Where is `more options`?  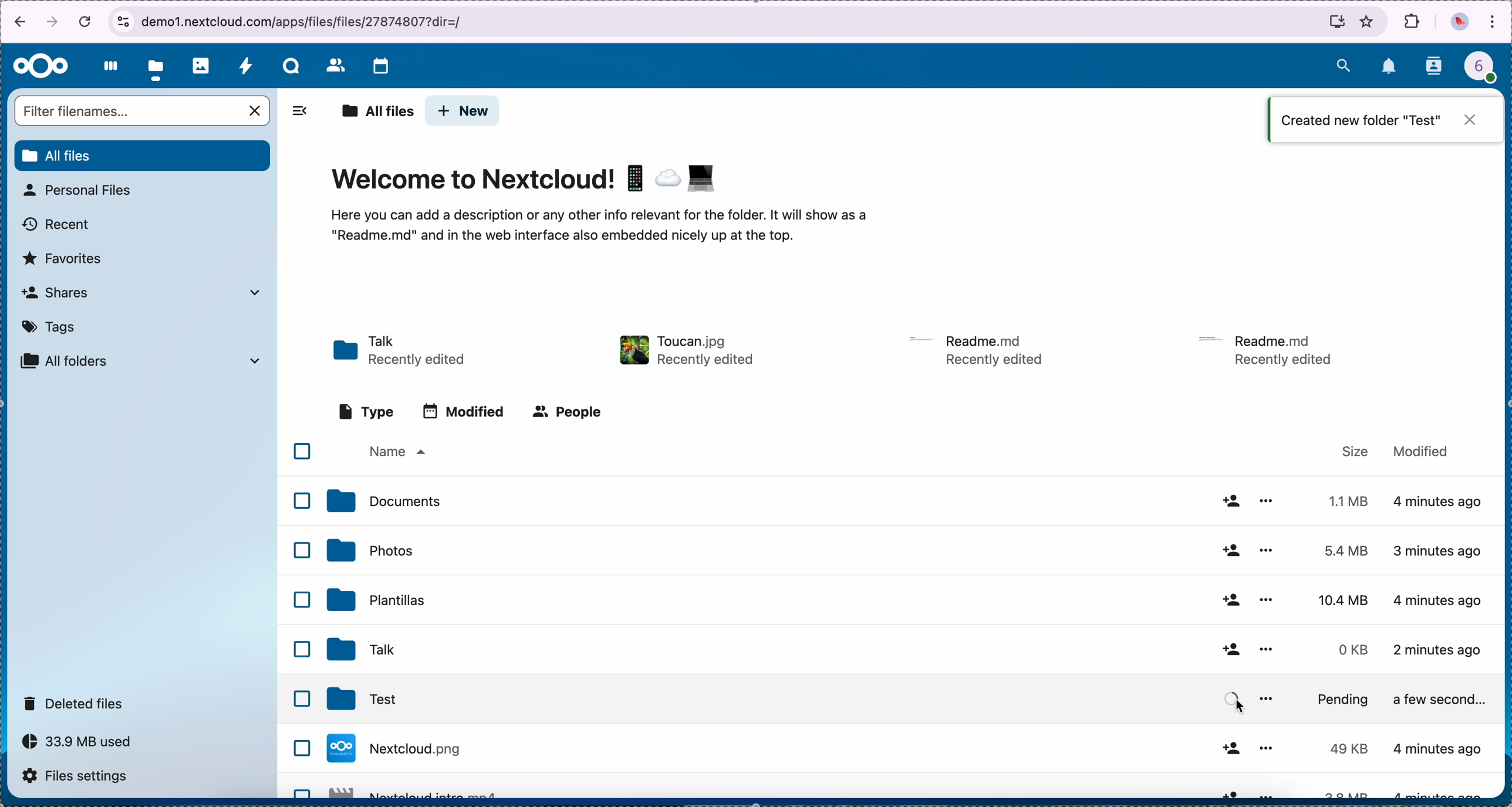 more options is located at coordinates (1266, 549).